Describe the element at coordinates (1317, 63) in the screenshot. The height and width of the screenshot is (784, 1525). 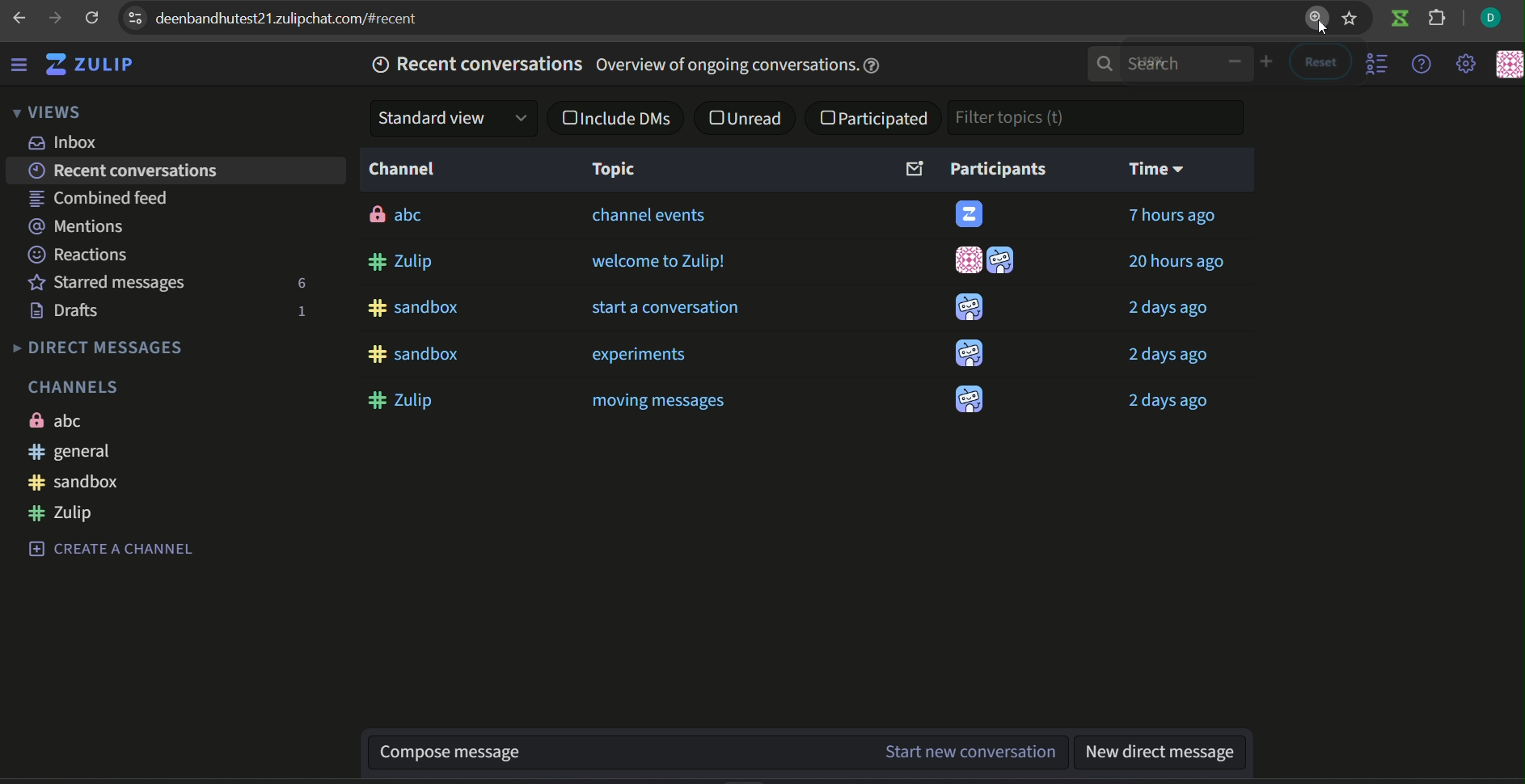
I see `reset` at that location.